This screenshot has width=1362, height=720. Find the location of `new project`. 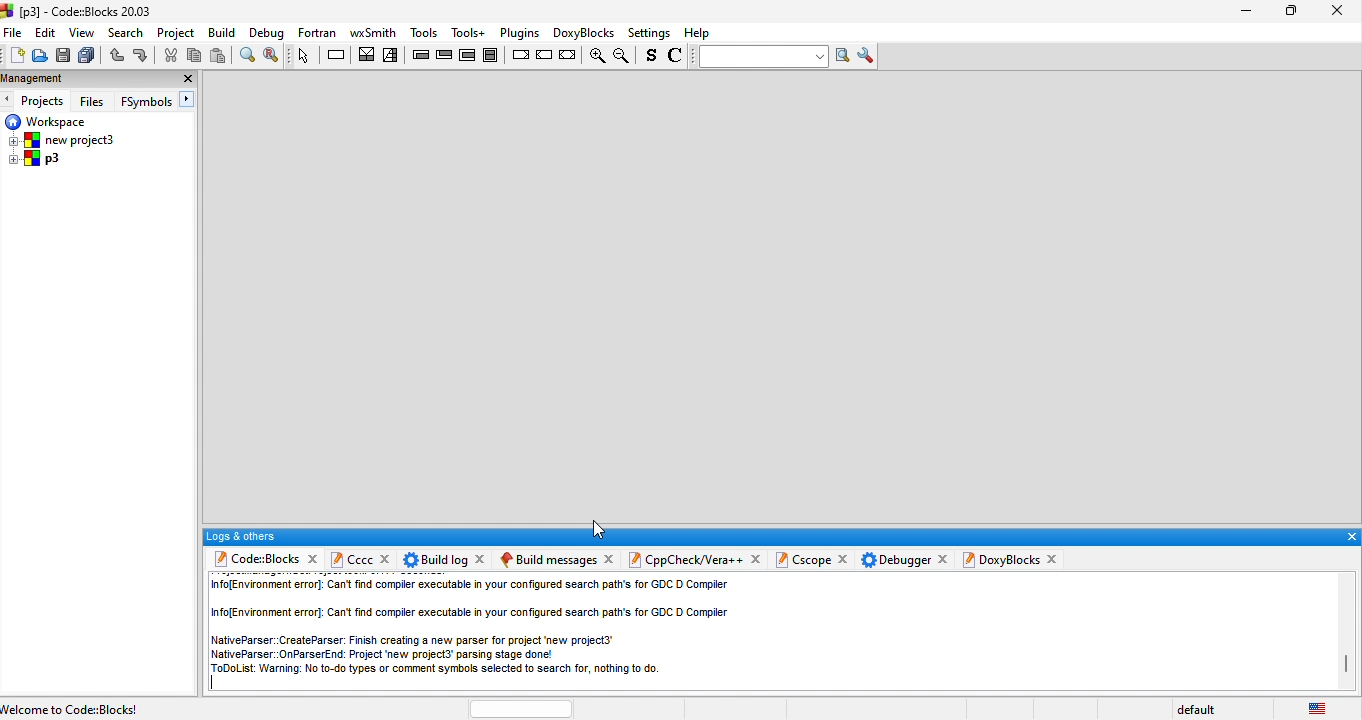

new project is located at coordinates (66, 140).